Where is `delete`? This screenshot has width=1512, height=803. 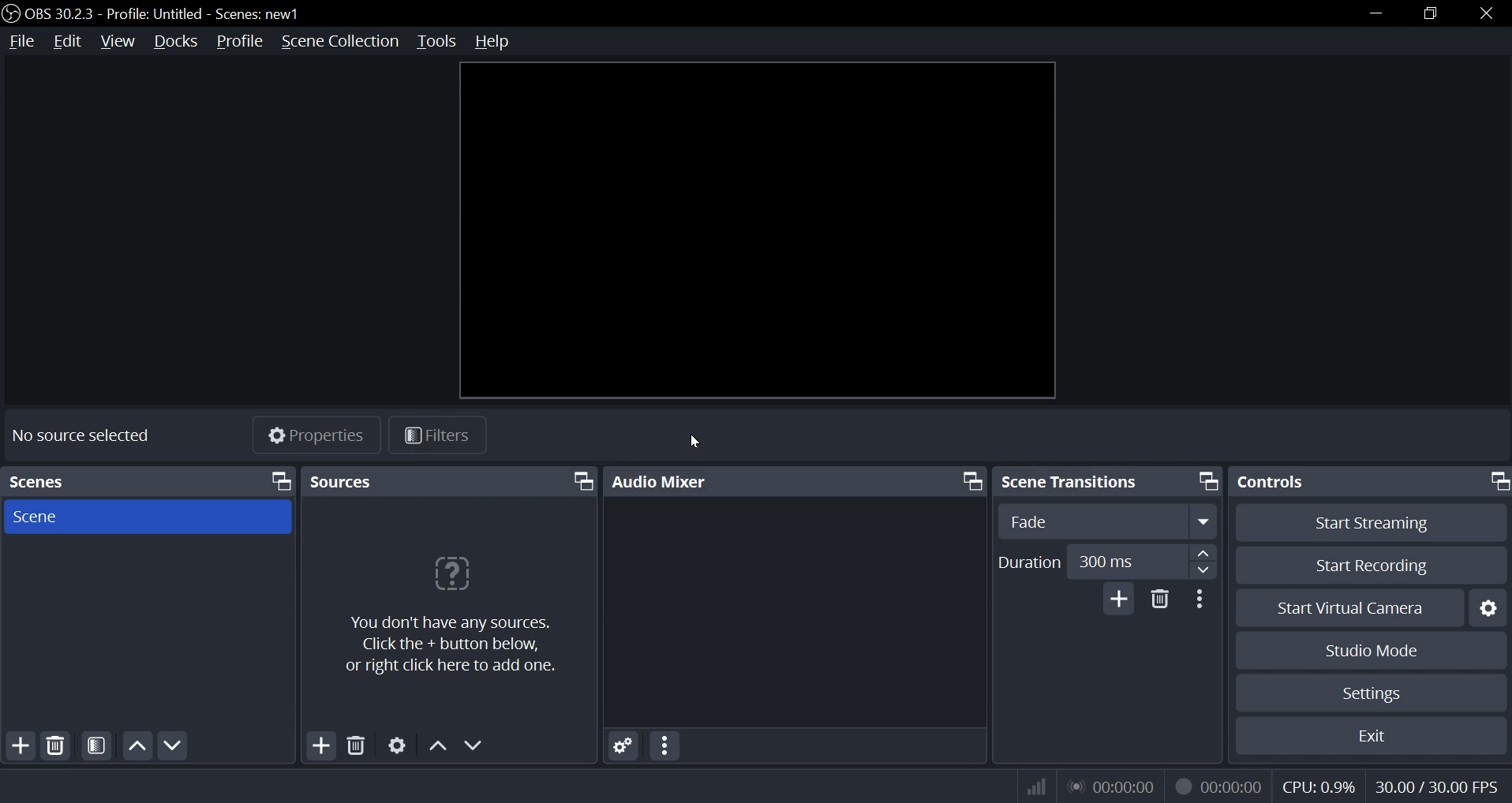 delete is located at coordinates (355, 746).